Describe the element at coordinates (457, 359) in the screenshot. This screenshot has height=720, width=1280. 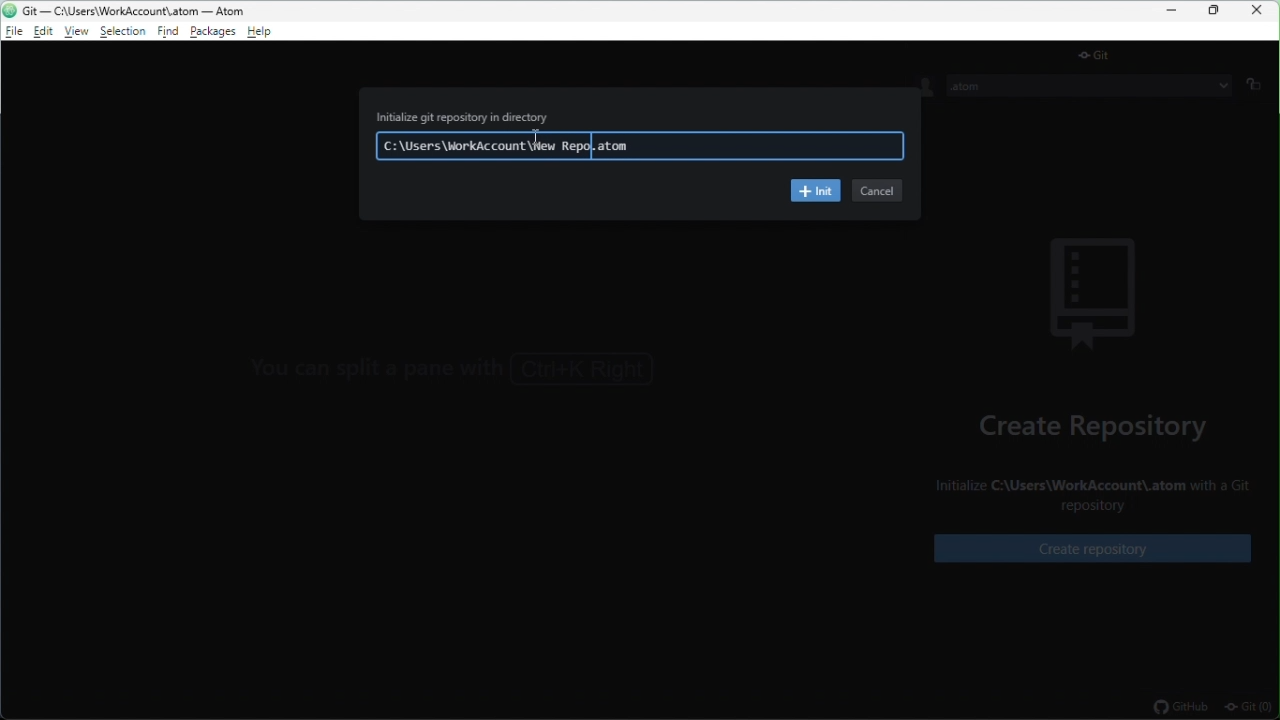
I see `You can focus the GitHub tab with Ctrl+8` at that location.